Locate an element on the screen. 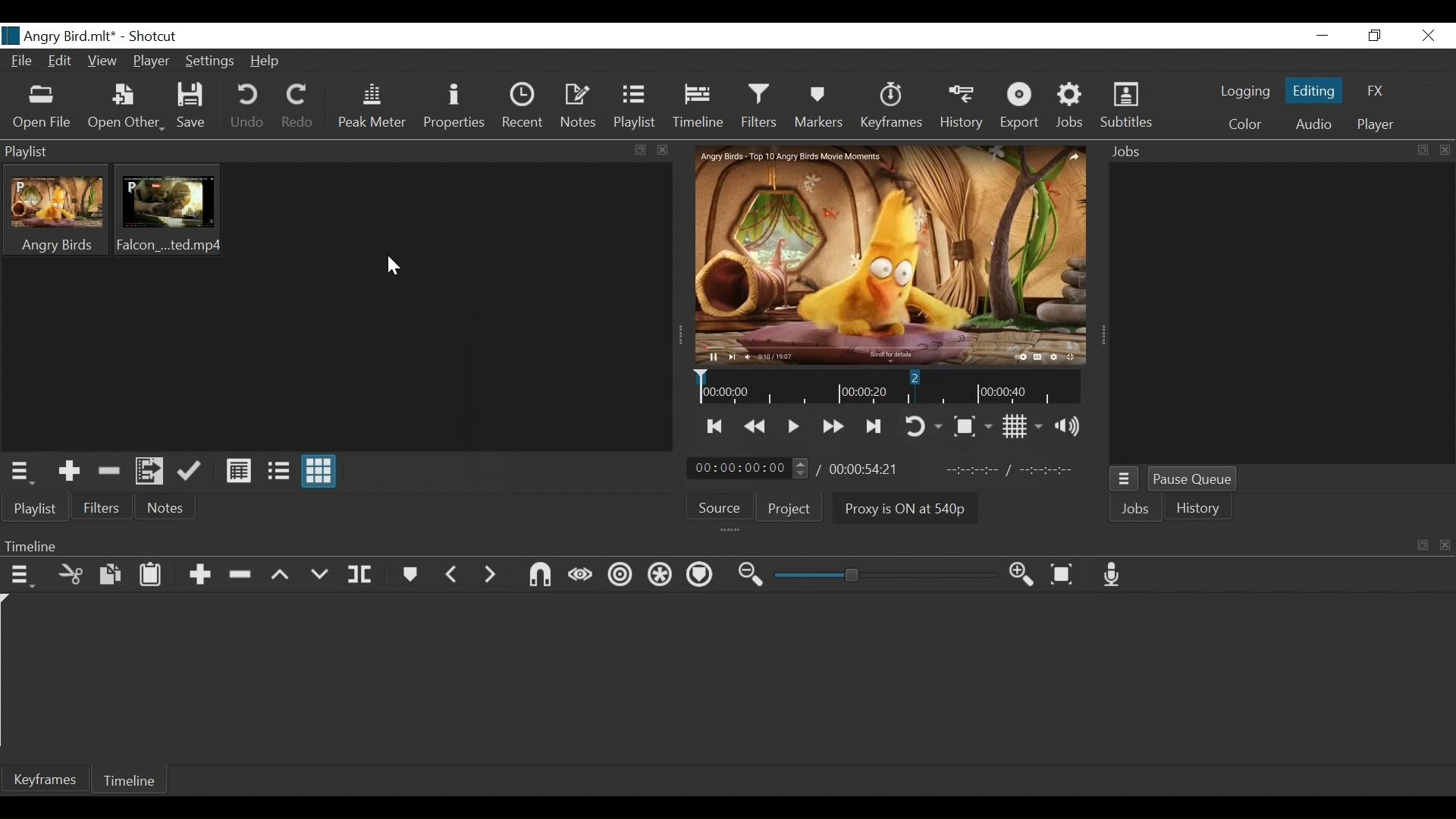 The height and width of the screenshot is (819, 1456). Subtitles is located at coordinates (1127, 106).